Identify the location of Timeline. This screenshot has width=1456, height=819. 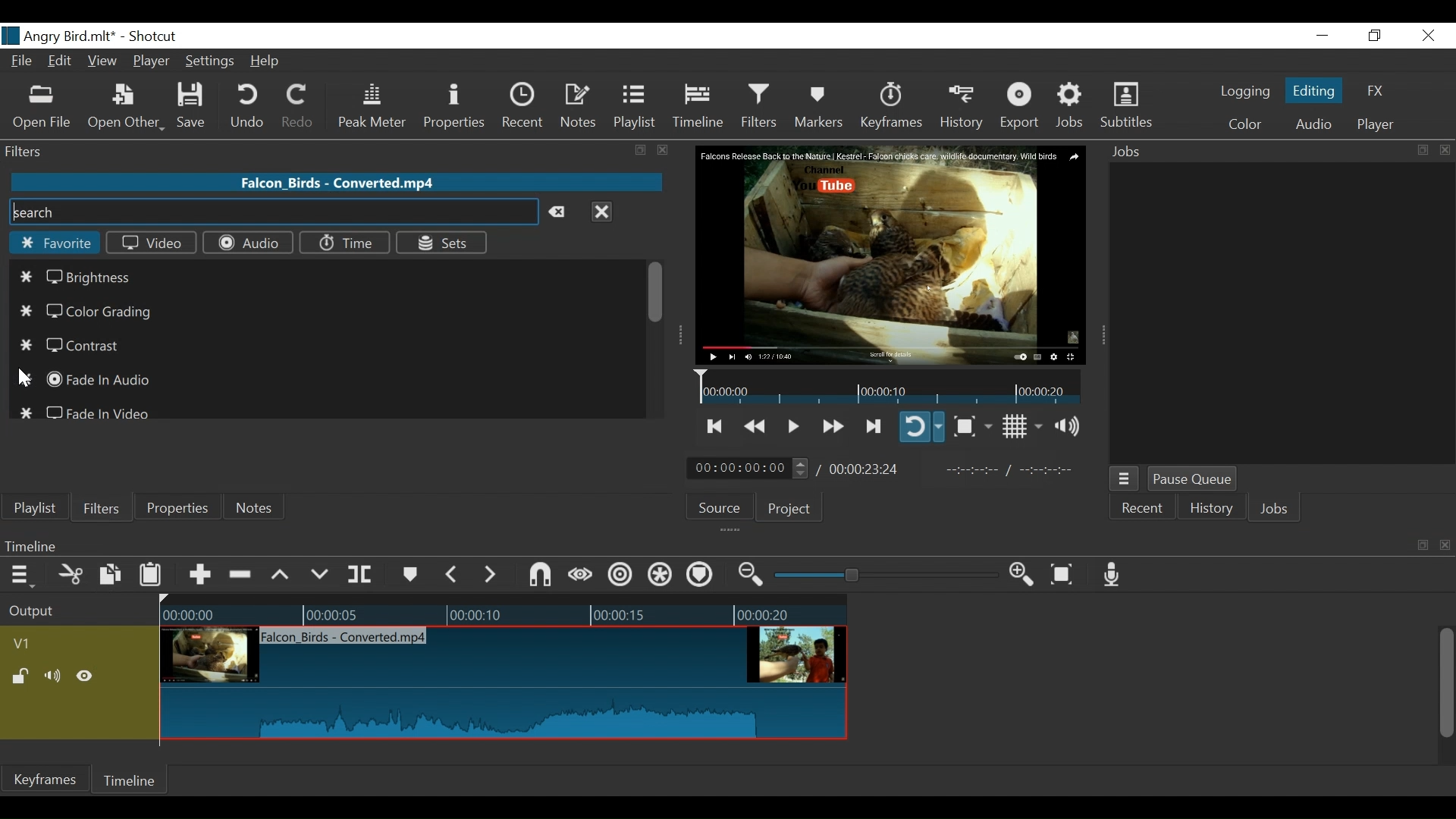
(504, 611).